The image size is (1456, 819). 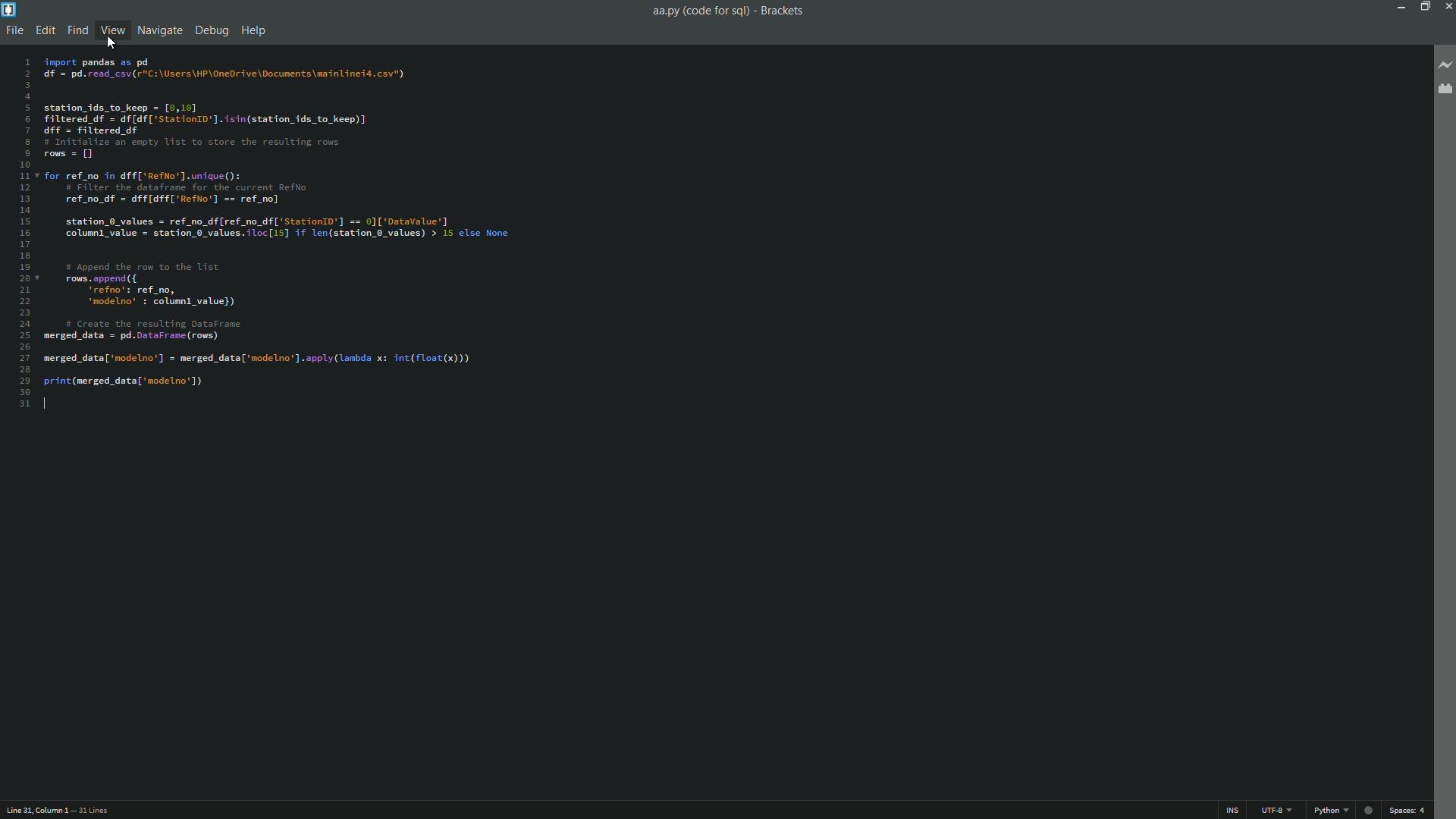 I want to click on live preview, so click(x=1443, y=62).